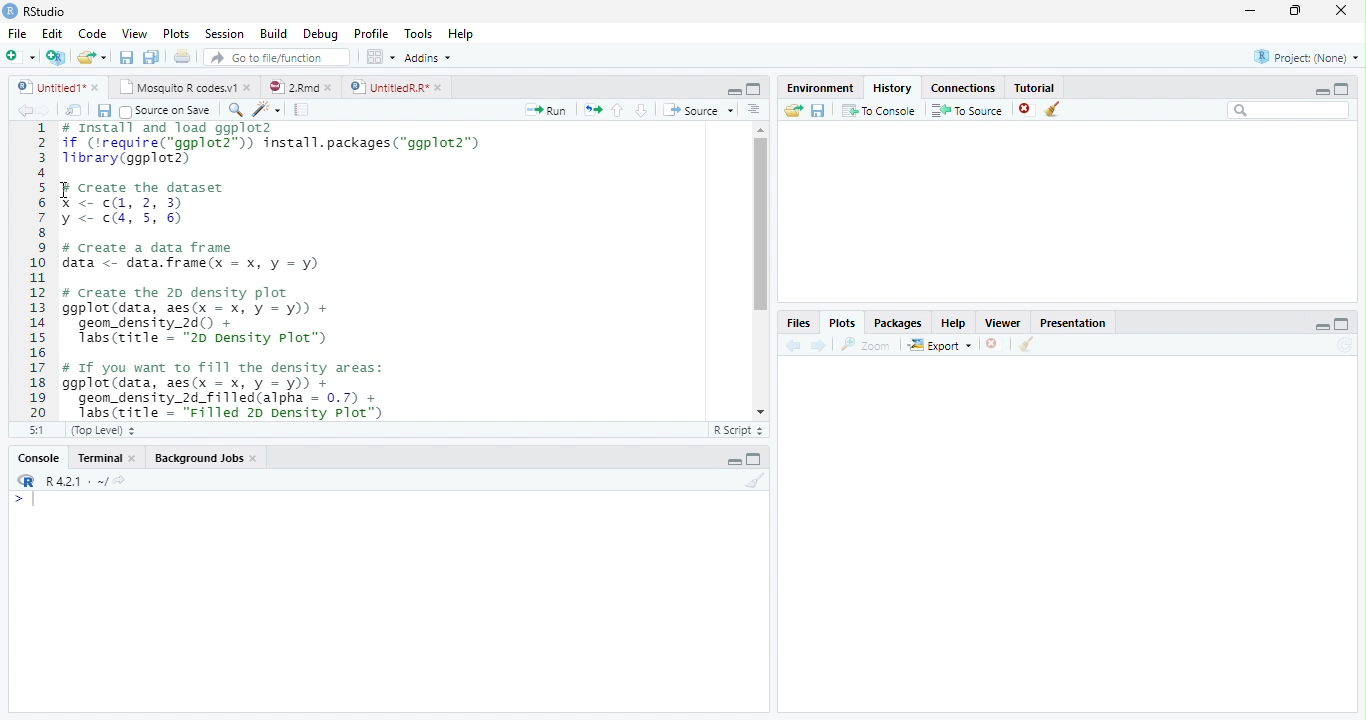 The image size is (1366, 720). Describe the element at coordinates (46, 87) in the screenshot. I see `Untitled1` at that location.